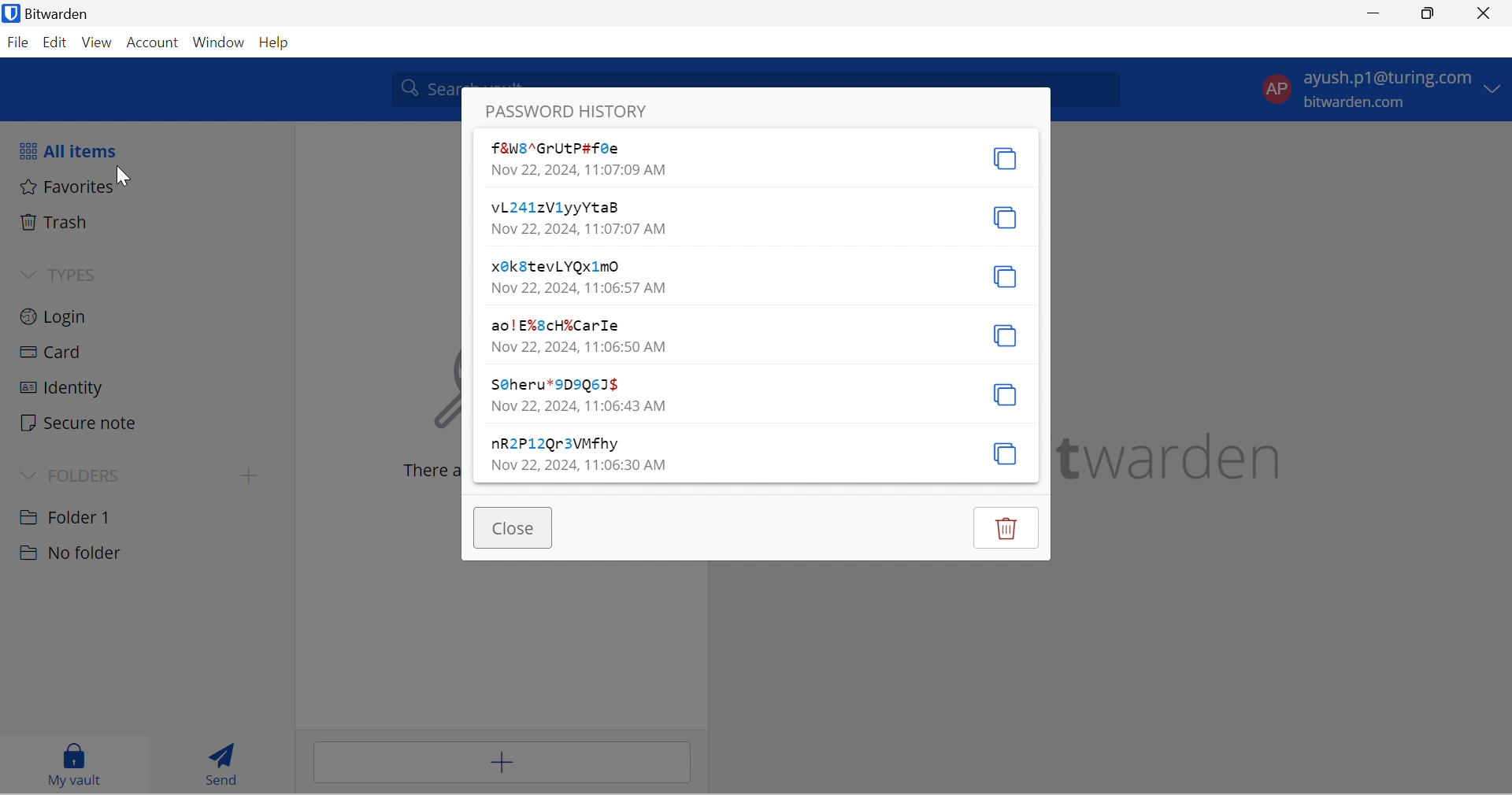 This screenshot has width=1512, height=795. What do you see at coordinates (1005, 394) in the screenshot?
I see `Copy` at bounding box center [1005, 394].